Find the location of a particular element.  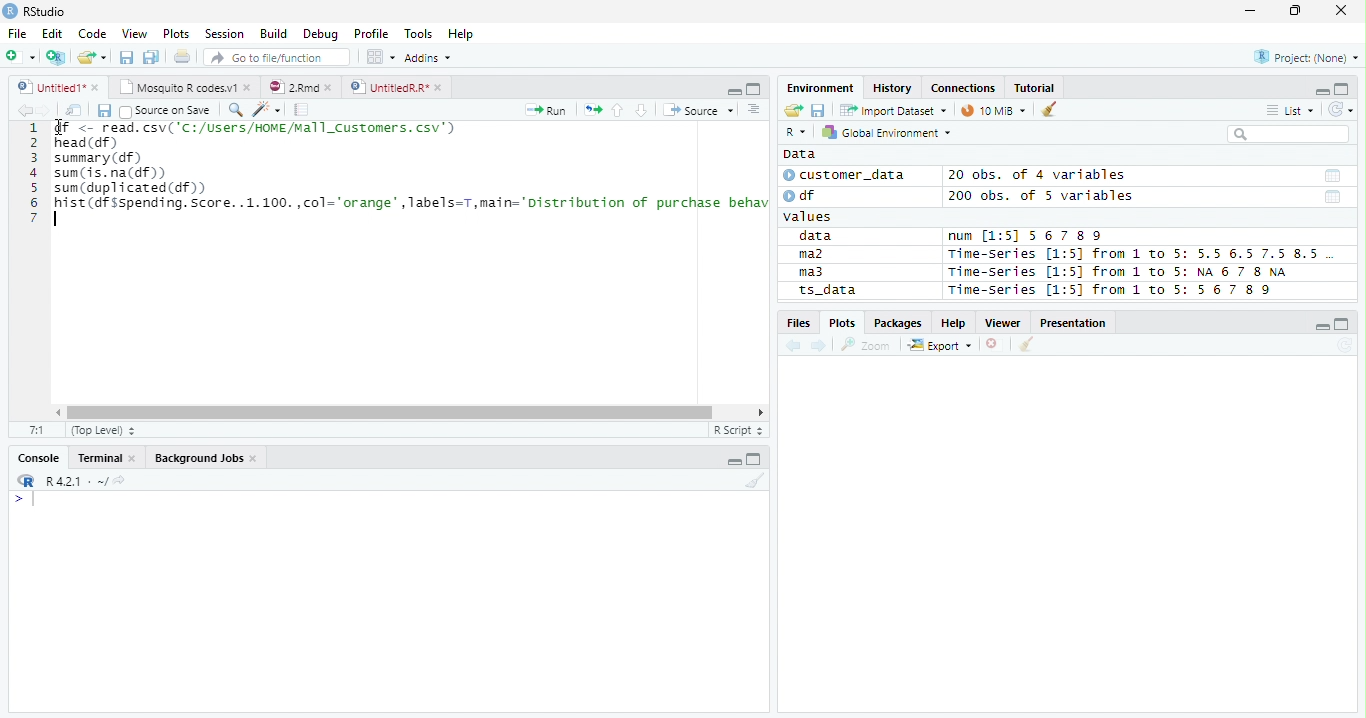

Row Number is located at coordinates (33, 172).